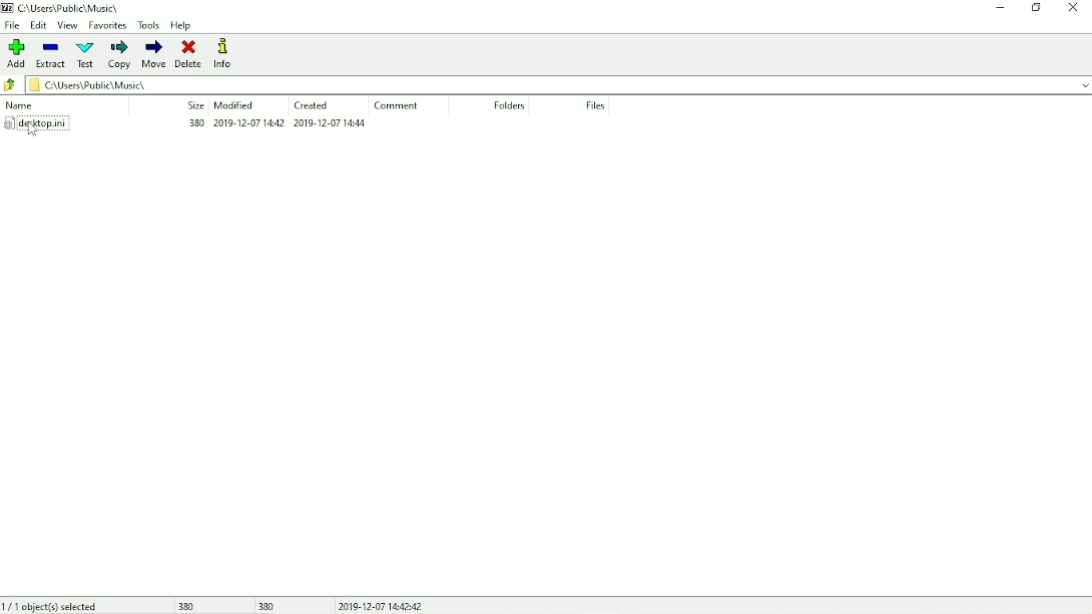  What do you see at coordinates (1075, 9) in the screenshot?
I see `Close` at bounding box center [1075, 9].